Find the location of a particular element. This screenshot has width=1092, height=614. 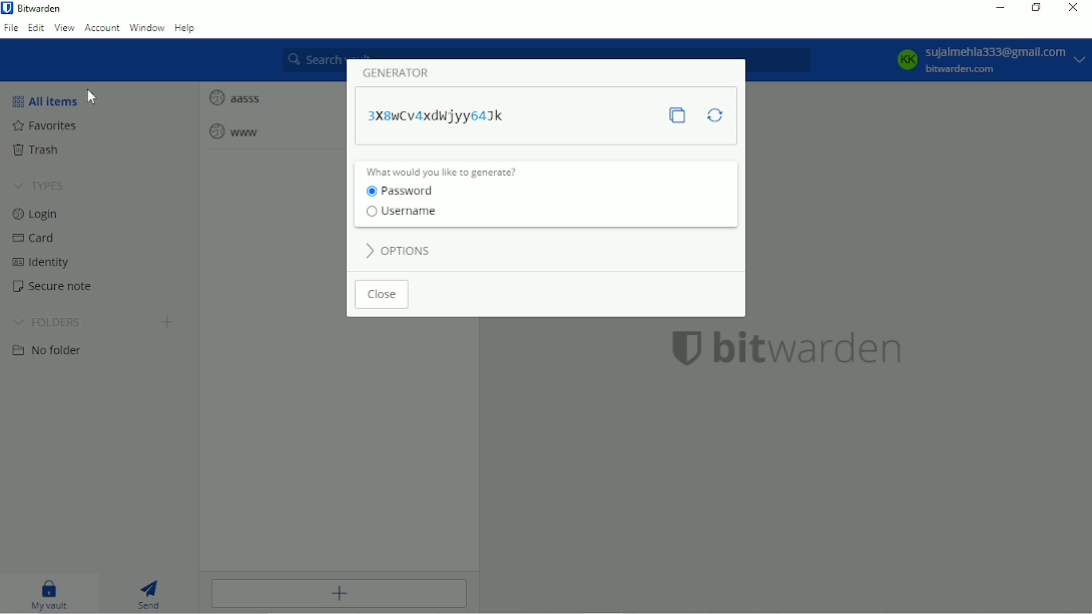

Add item is located at coordinates (339, 593).